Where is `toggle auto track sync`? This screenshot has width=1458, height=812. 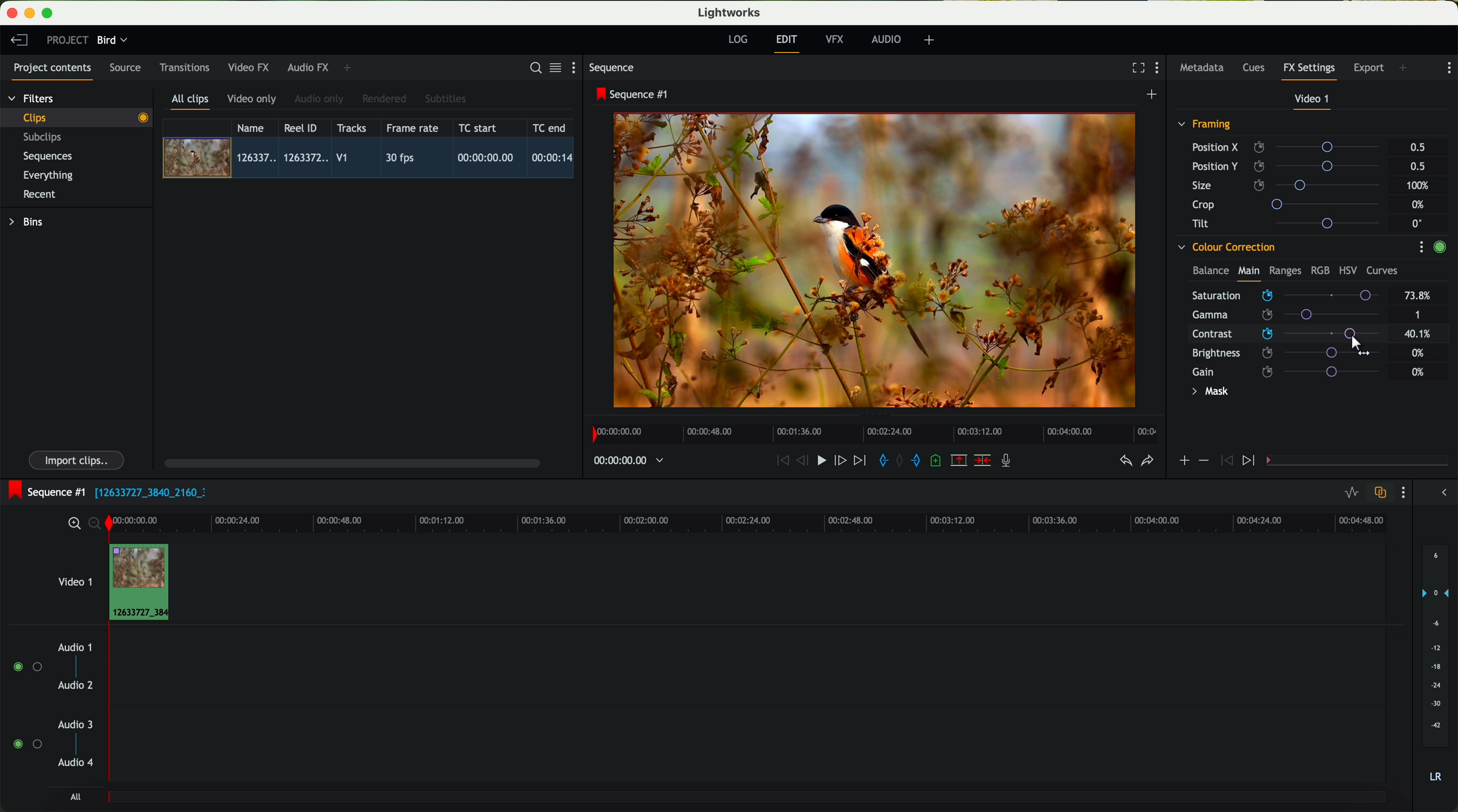
toggle auto track sync is located at coordinates (1378, 493).